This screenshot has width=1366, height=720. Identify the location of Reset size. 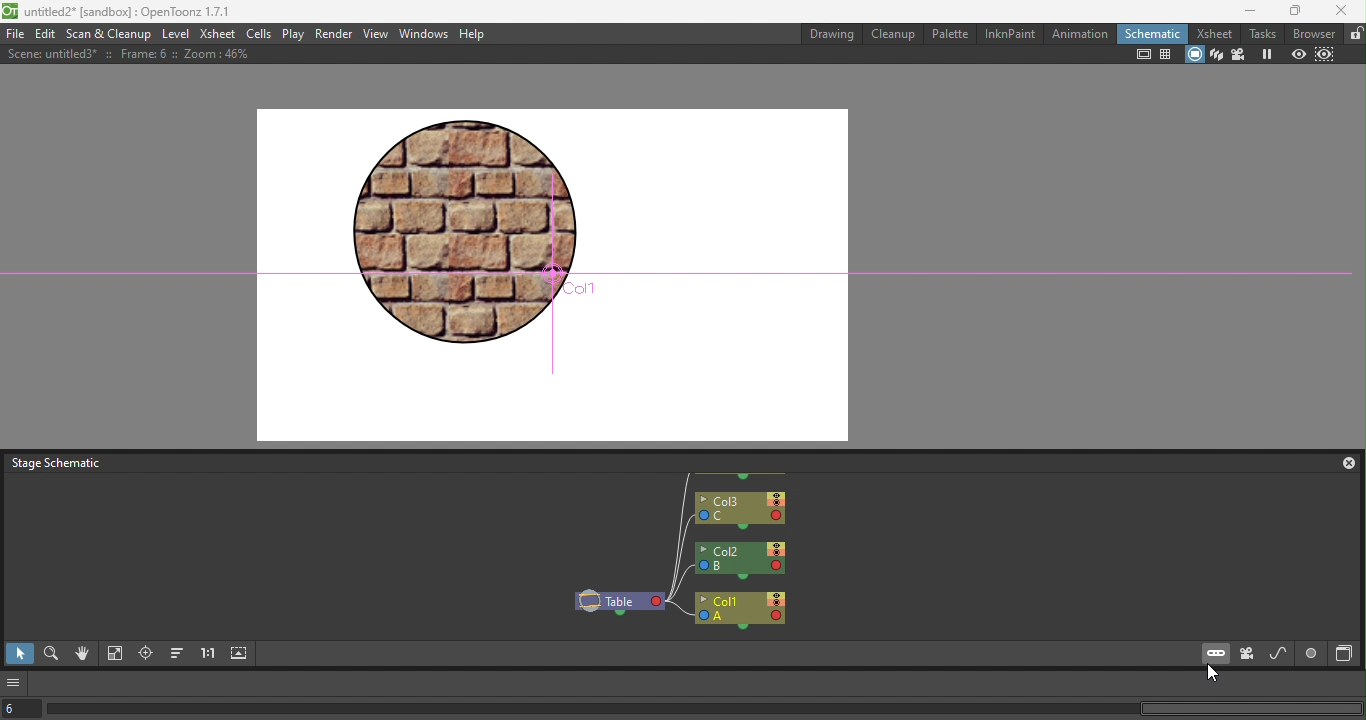
(208, 655).